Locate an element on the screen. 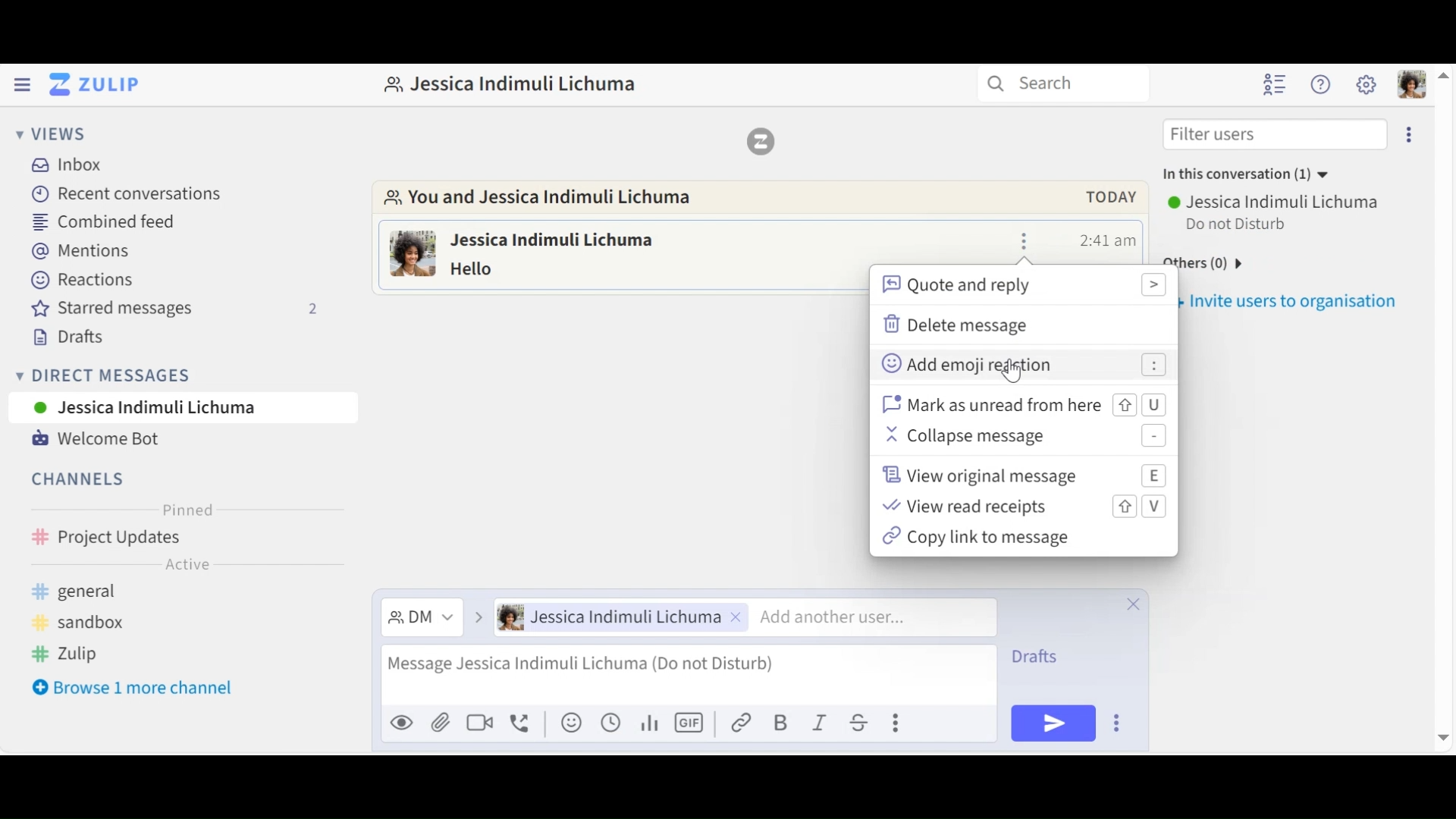 The width and height of the screenshot is (1456, 819). Zulip is located at coordinates (759, 140).